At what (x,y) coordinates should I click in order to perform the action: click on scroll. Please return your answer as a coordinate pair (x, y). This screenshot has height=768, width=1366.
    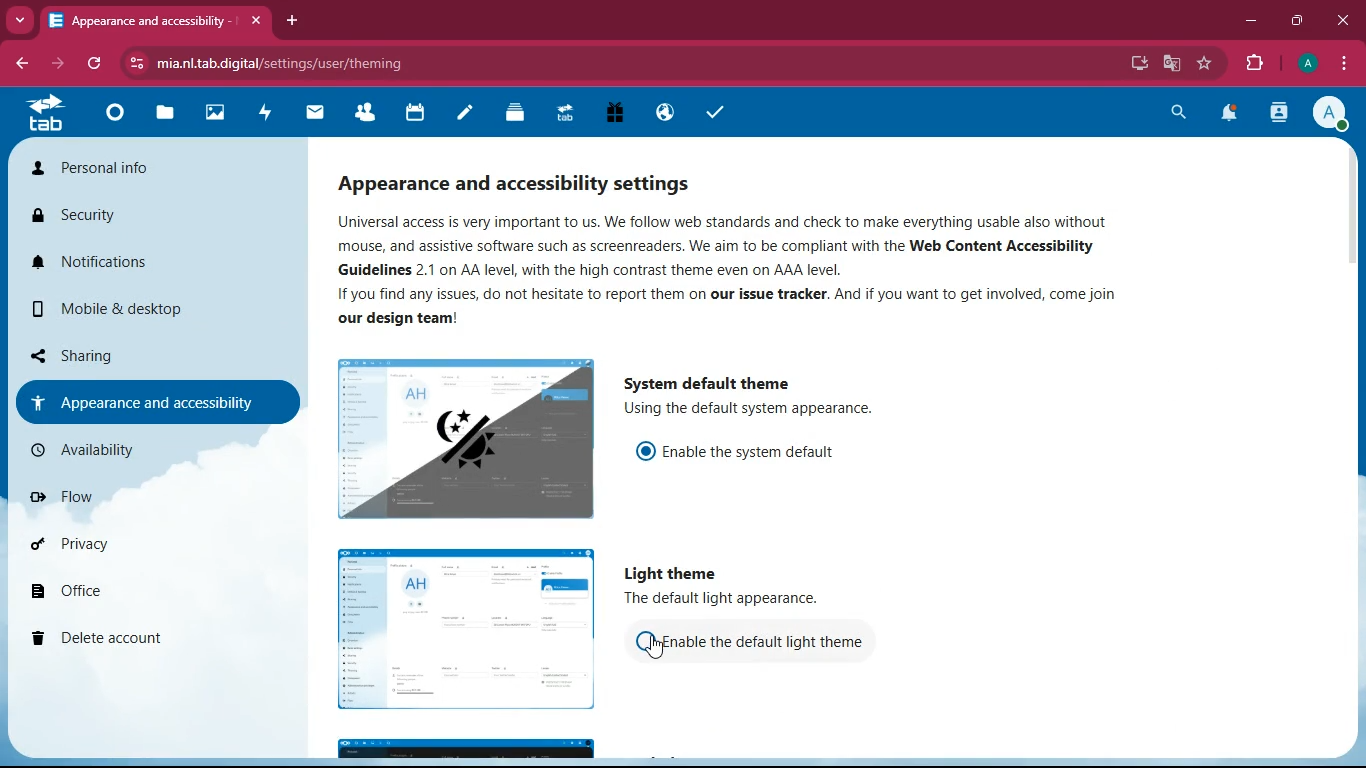
    Looking at the image, I should click on (1349, 205).